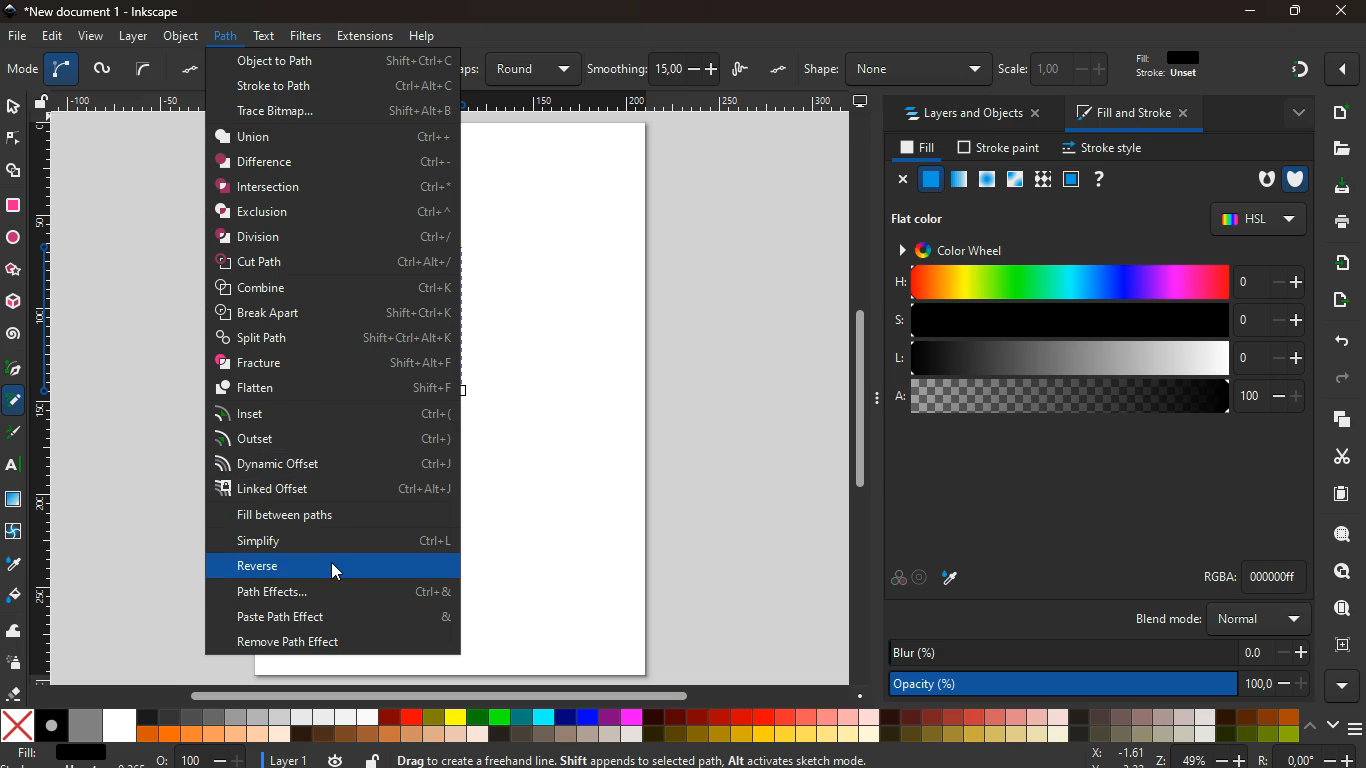 The width and height of the screenshot is (1366, 768). I want to click on spray, so click(15, 664).